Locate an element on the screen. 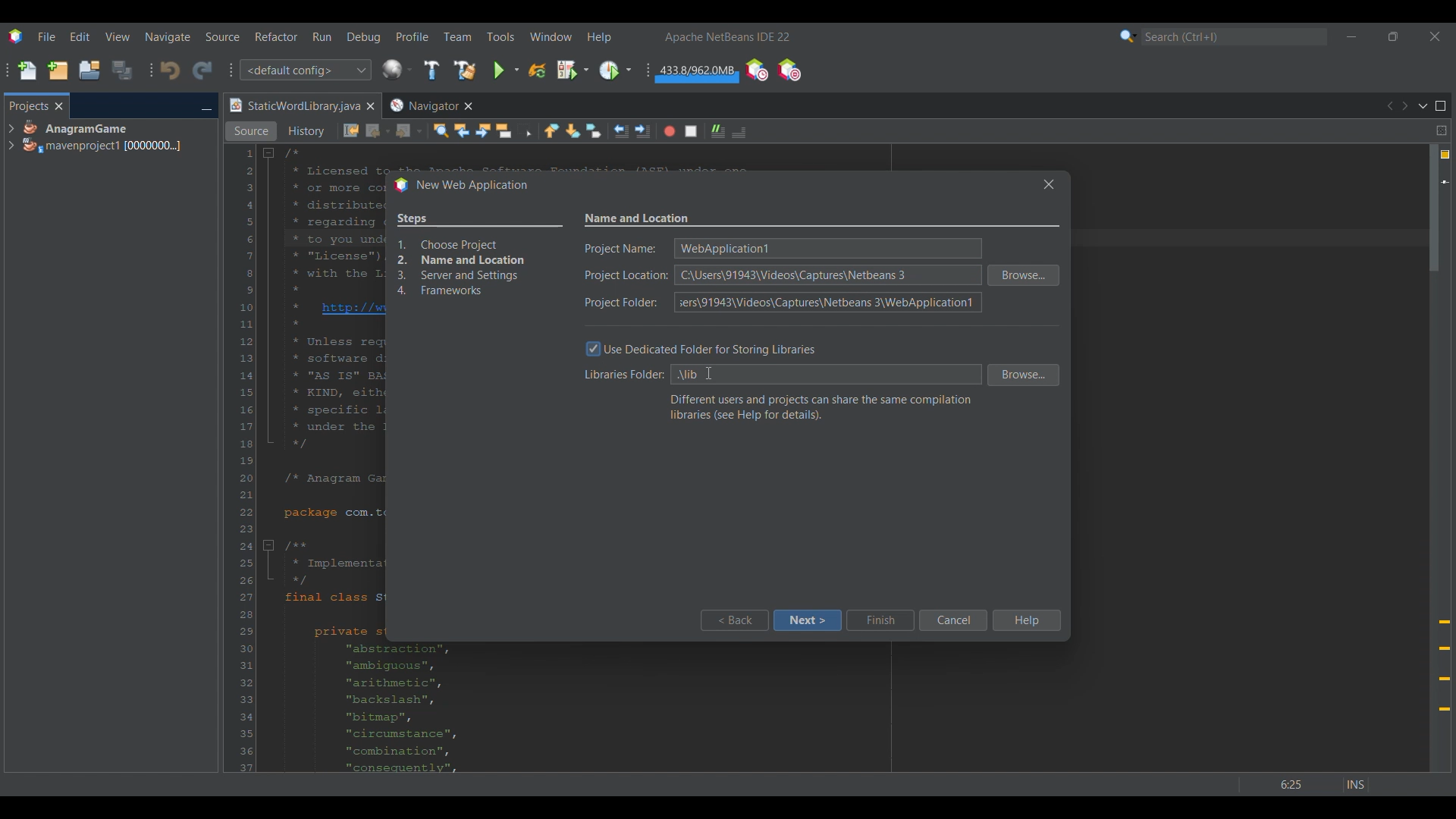 The image size is (1456, 819). Toggle rectangular selection is located at coordinates (525, 130).